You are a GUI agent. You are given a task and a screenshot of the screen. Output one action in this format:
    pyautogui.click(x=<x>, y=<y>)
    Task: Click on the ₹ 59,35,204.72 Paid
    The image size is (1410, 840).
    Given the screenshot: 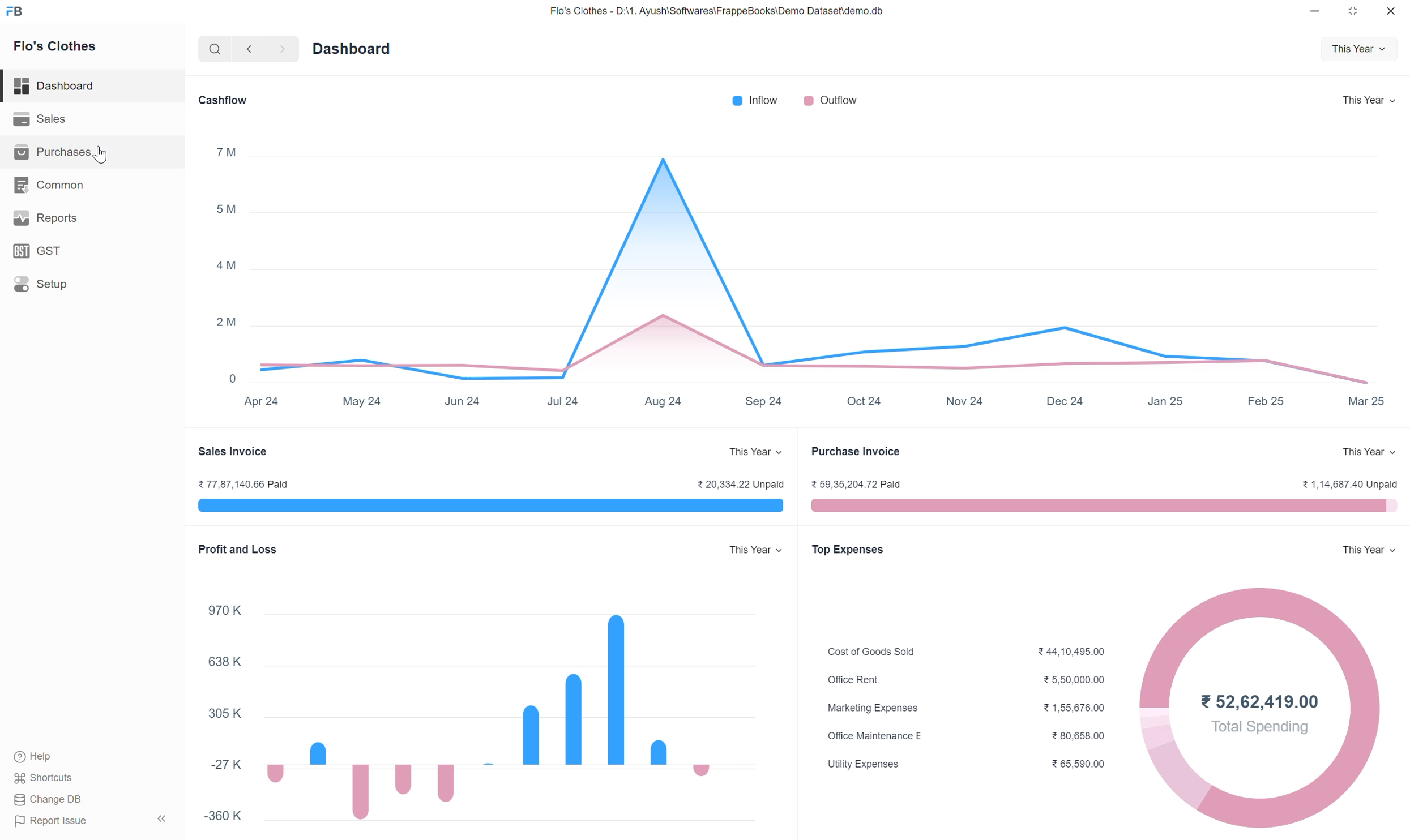 What is the action you would take?
    pyautogui.click(x=859, y=485)
    